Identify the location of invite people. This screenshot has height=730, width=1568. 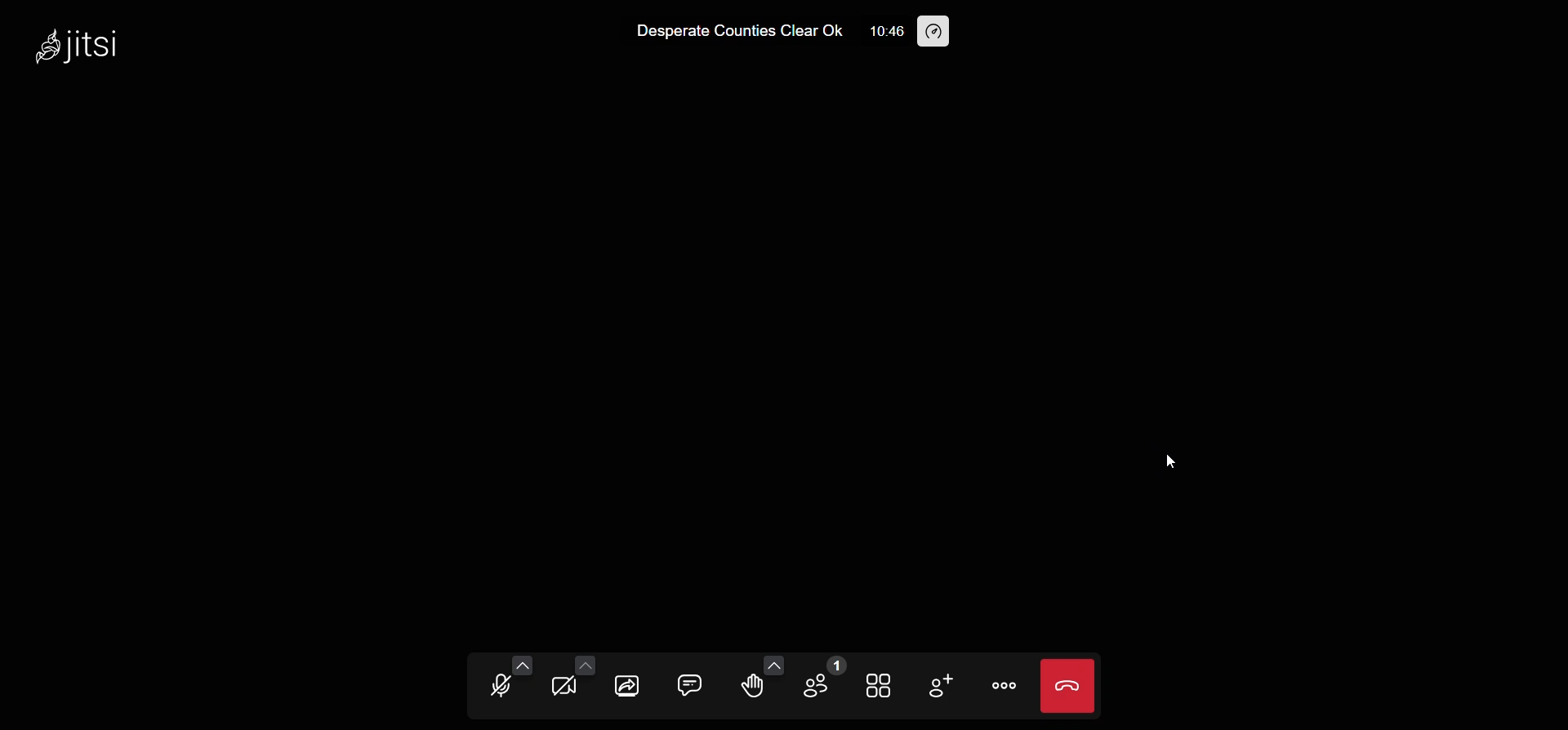
(939, 687).